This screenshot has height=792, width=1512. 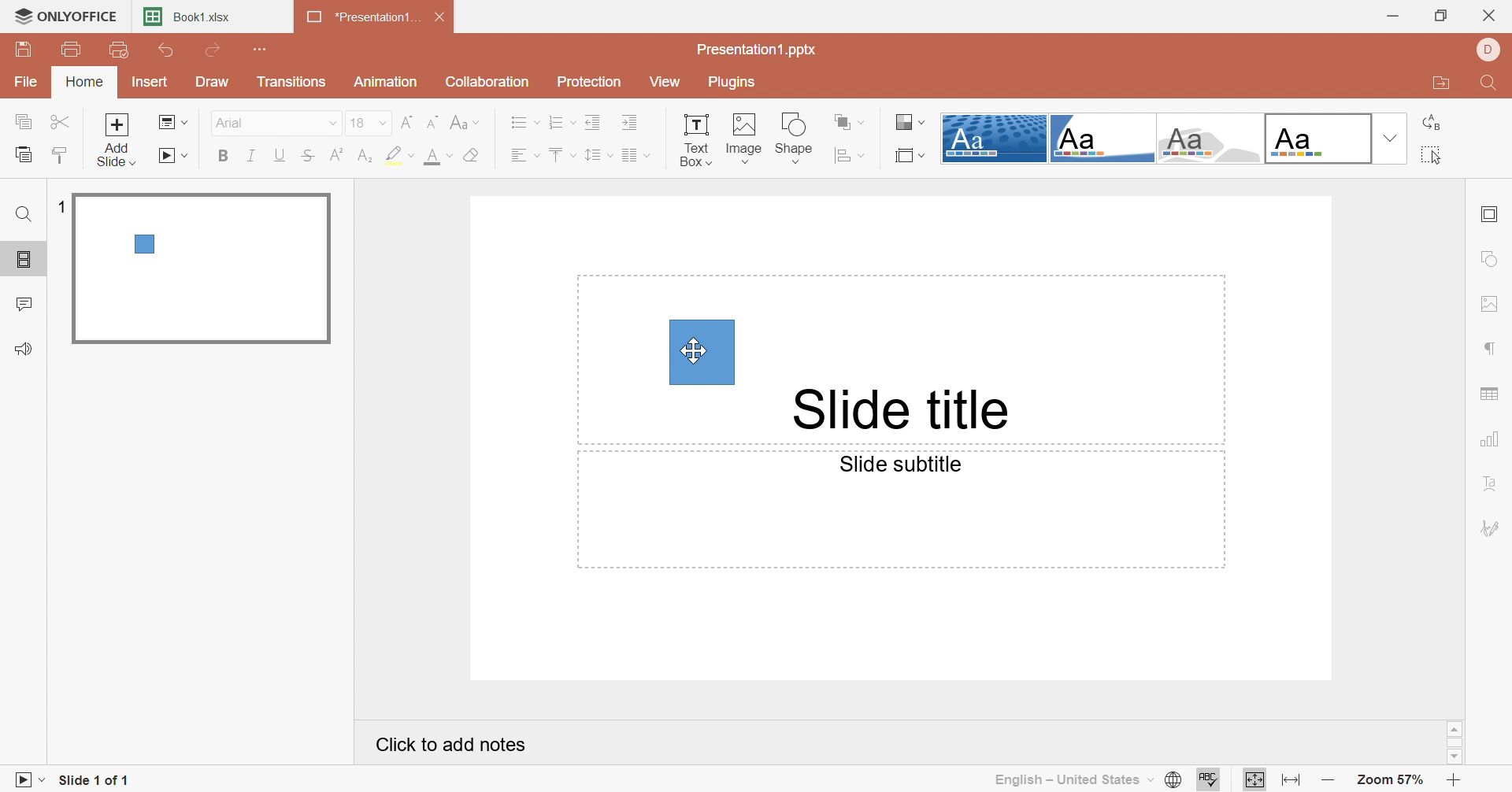 What do you see at coordinates (87, 83) in the screenshot?
I see `Home` at bounding box center [87, 83].